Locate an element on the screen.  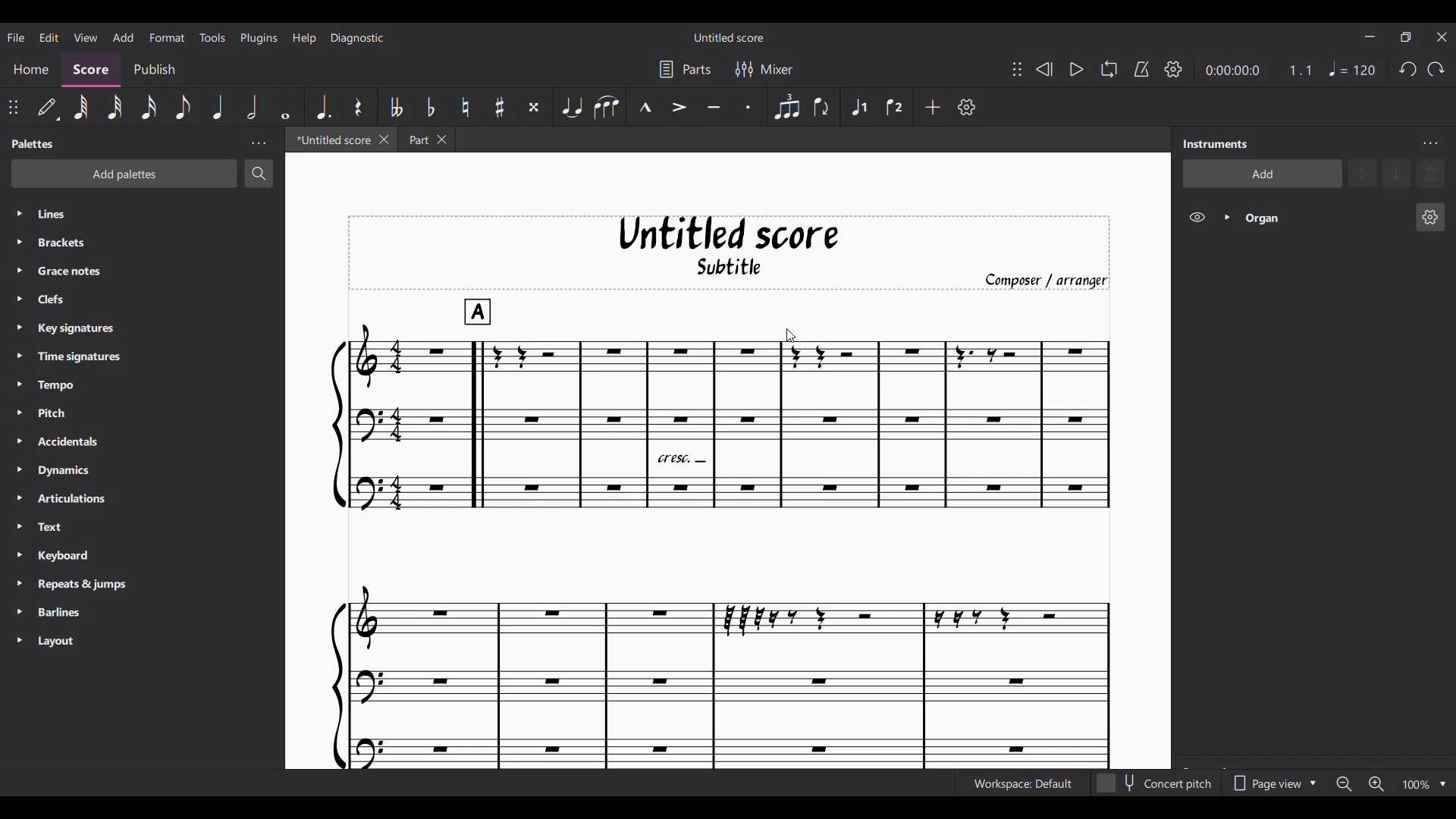
Toggle natural is located at coordinates (465, 108).